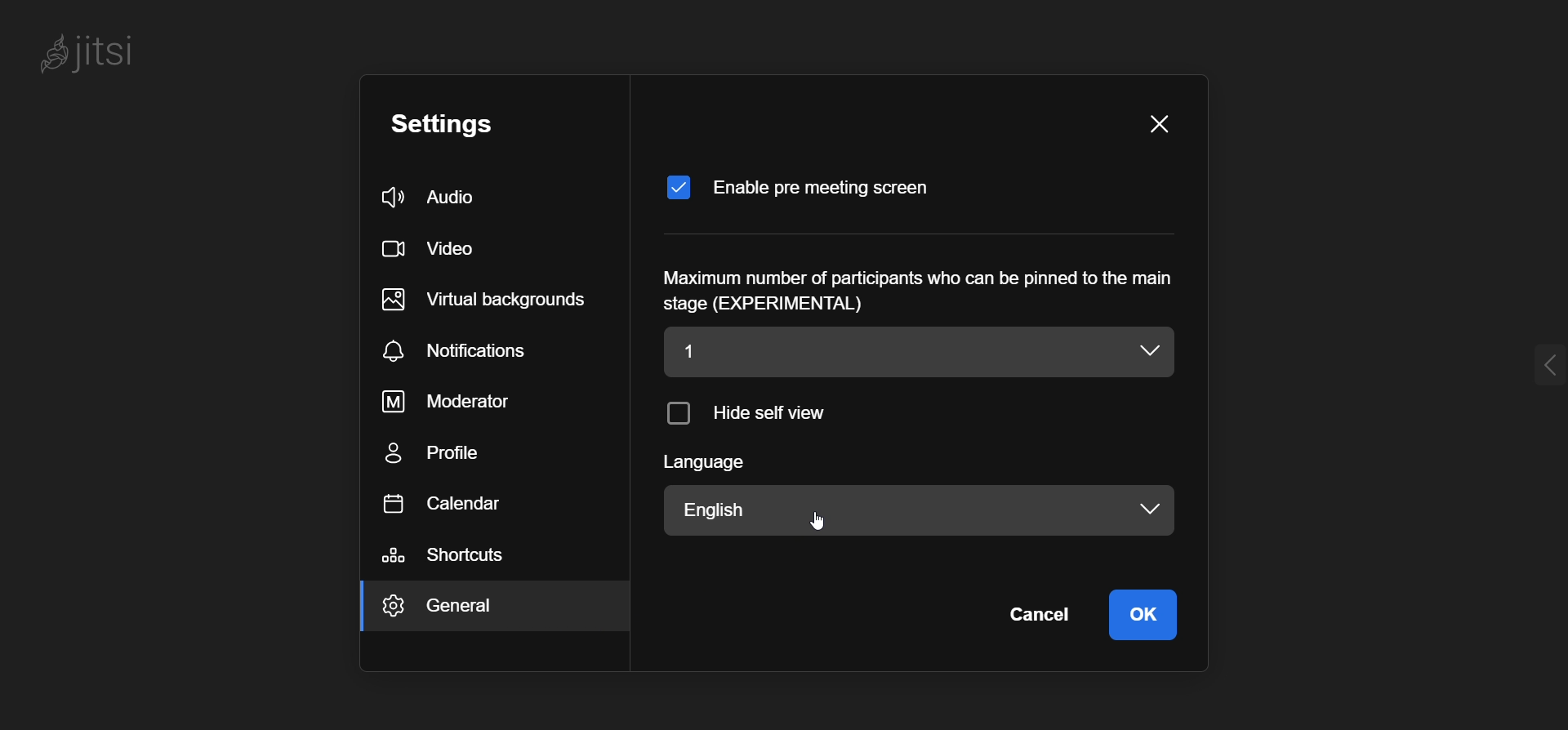 The height and width of the screenshot is (730, 1568). Describe the element at coordinates (445, 195) in the screenshot. I see `audio` at that location.